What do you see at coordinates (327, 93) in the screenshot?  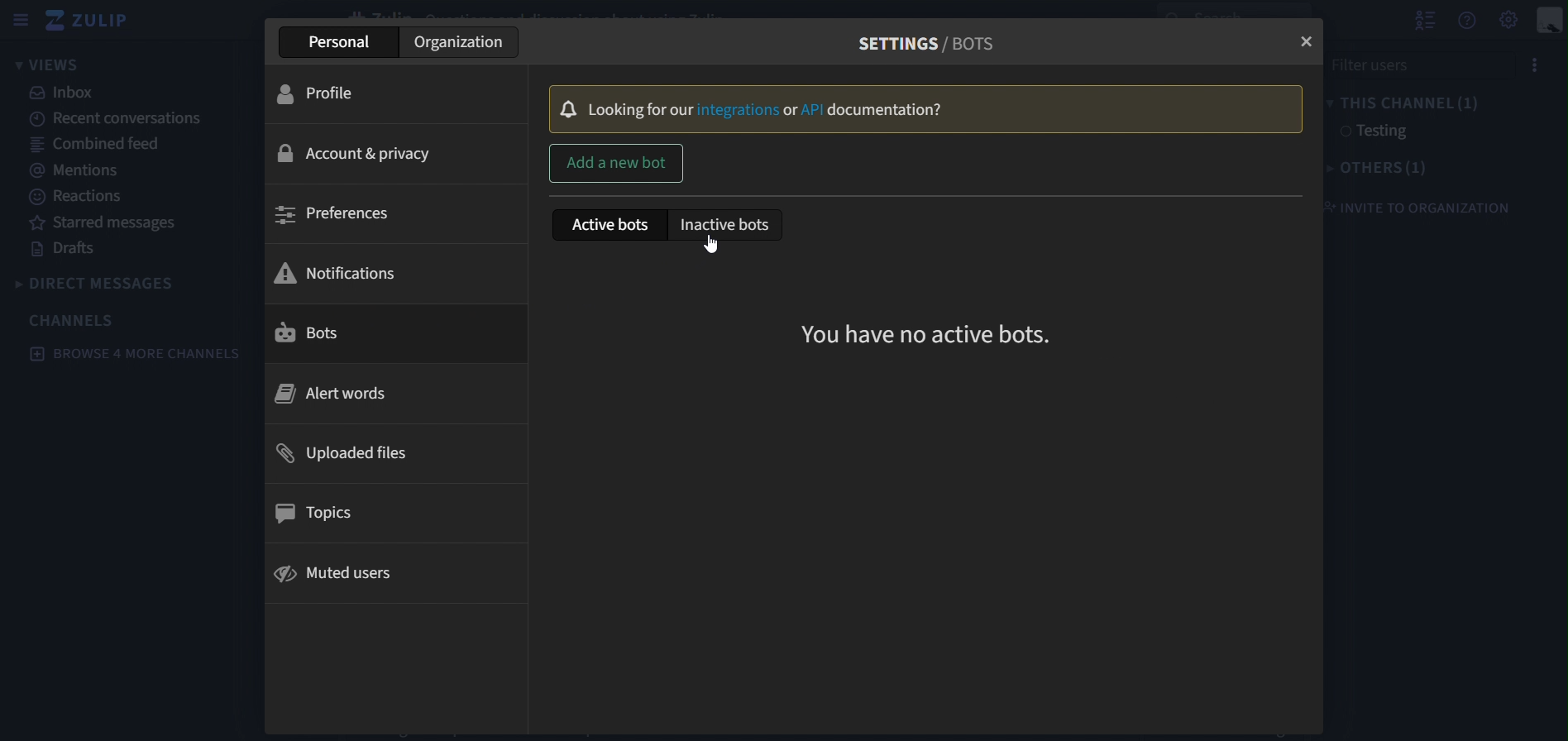 I see `profile` at bounding box center [327, 93].